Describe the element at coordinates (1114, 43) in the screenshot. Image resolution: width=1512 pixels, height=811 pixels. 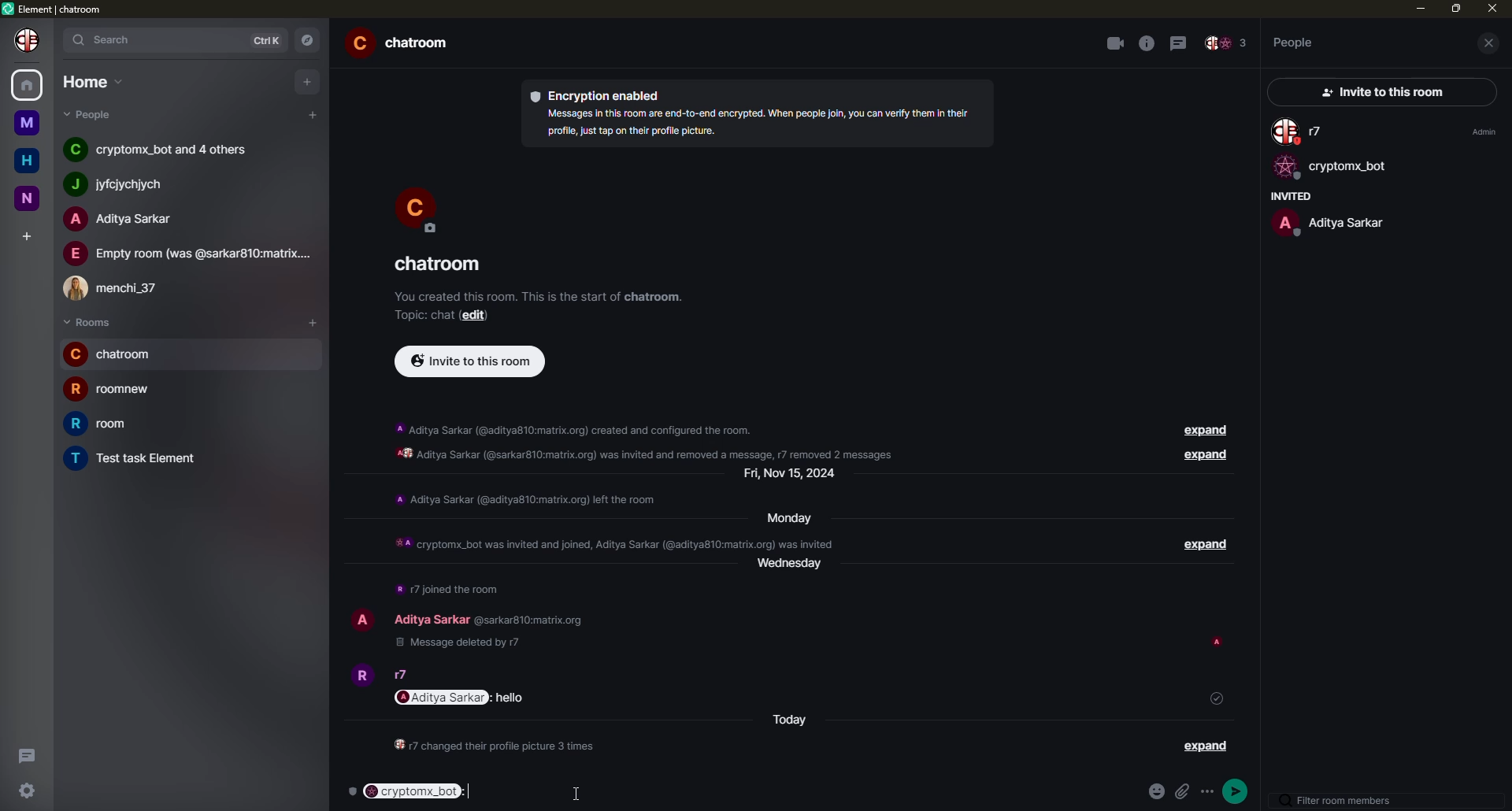
I see `video` at that location.